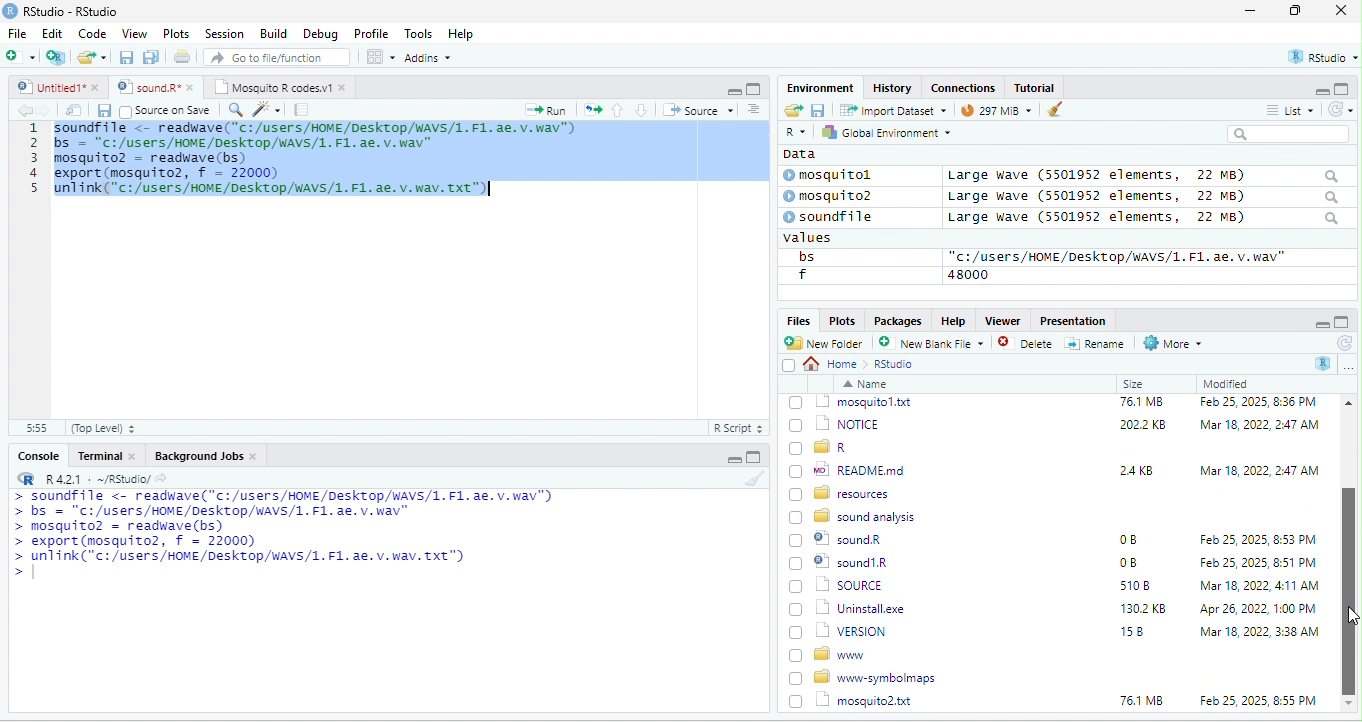 This screenshot has width=1362, height=722. I want to click on open, so click(792, 111).